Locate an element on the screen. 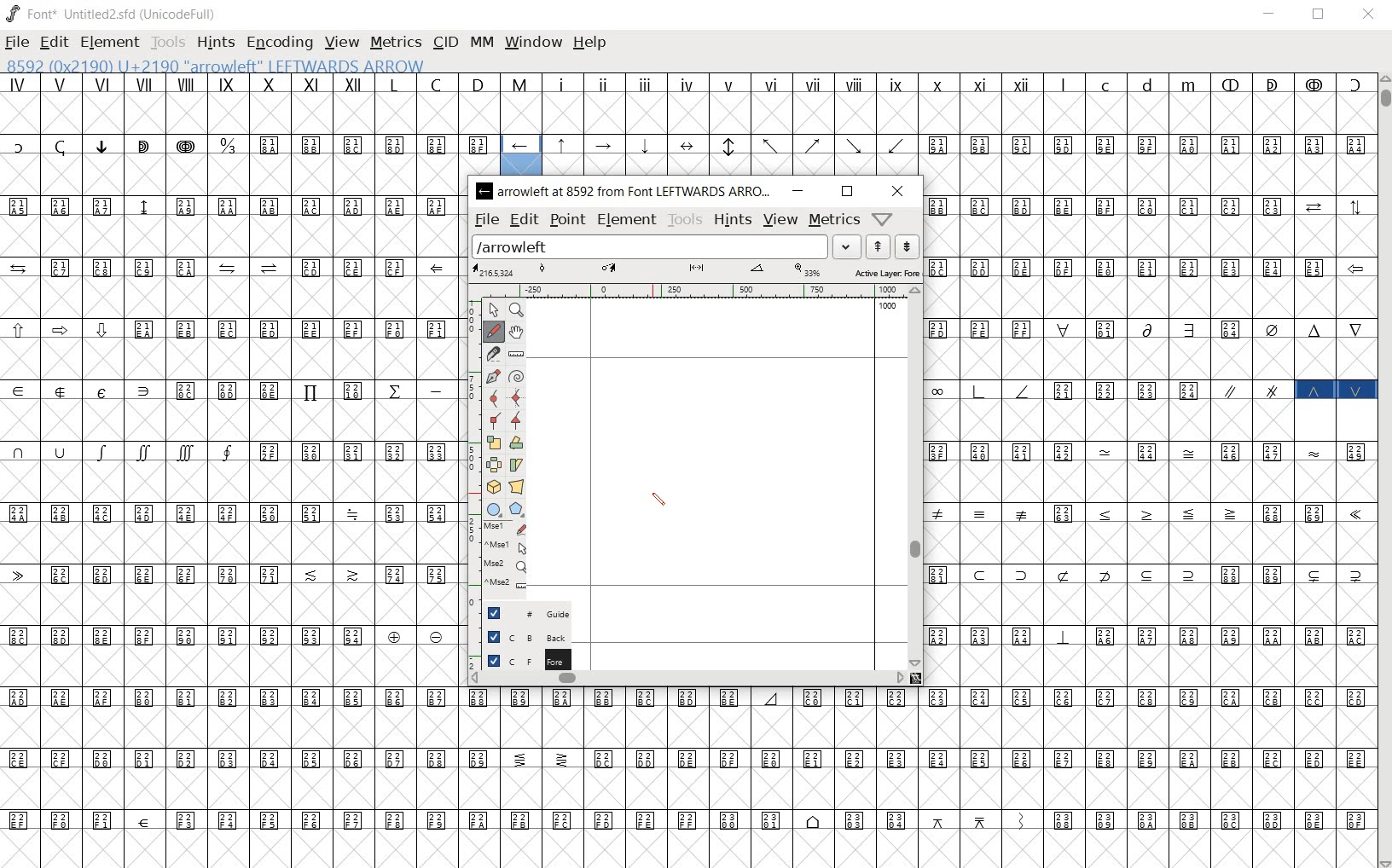  Add a corner point is located at coordinates (517, 420).